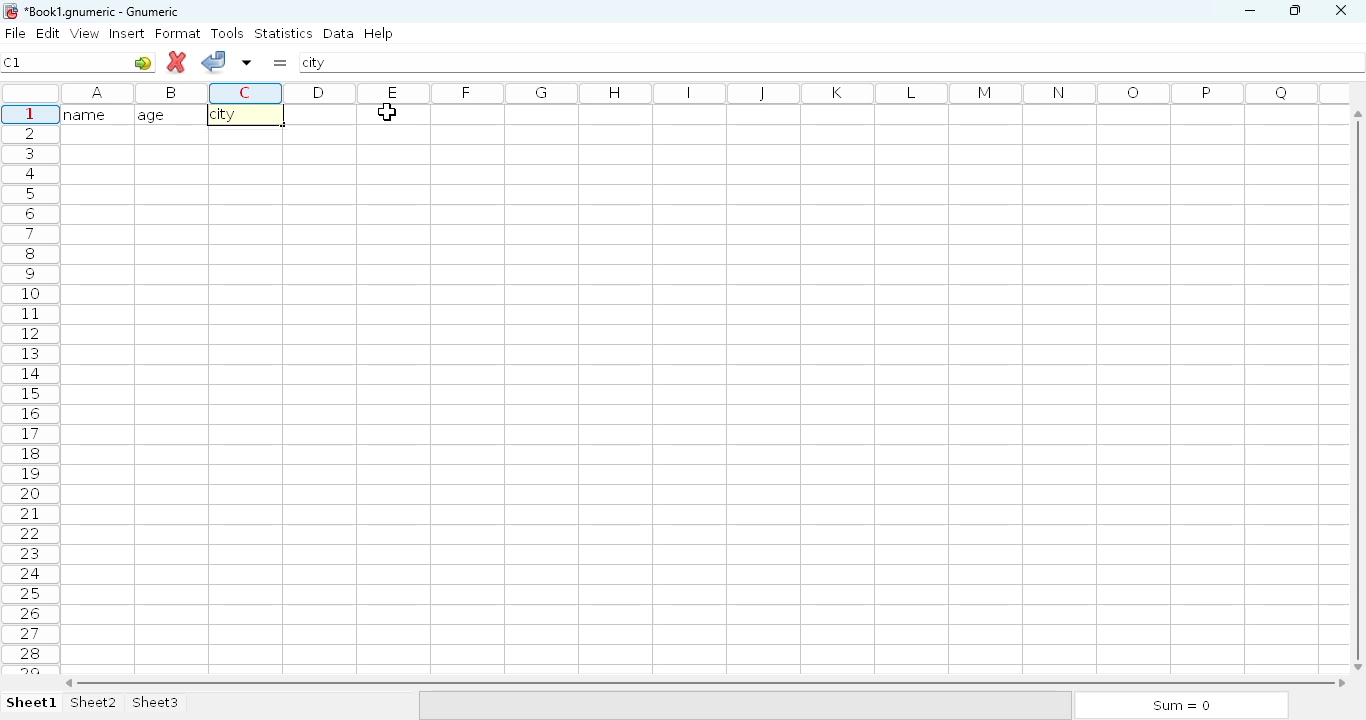  Describe the element at coordinates (49, 33) in the screenshot. I see `edit` at that location.